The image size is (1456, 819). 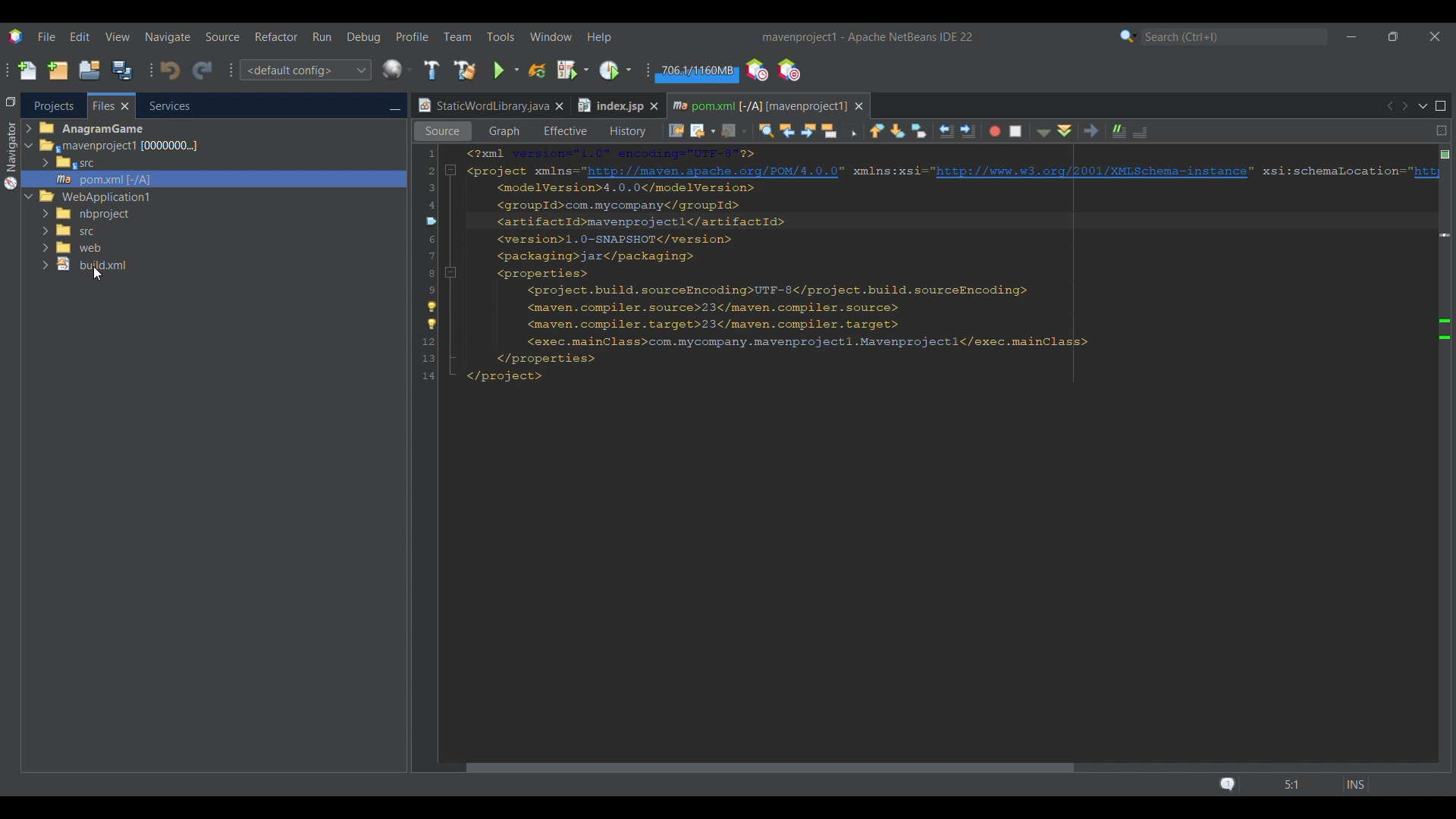 What do you see at coordinates (551, 36) in the screenshot?
I see `Window menu` at bounding box center [551, 36].